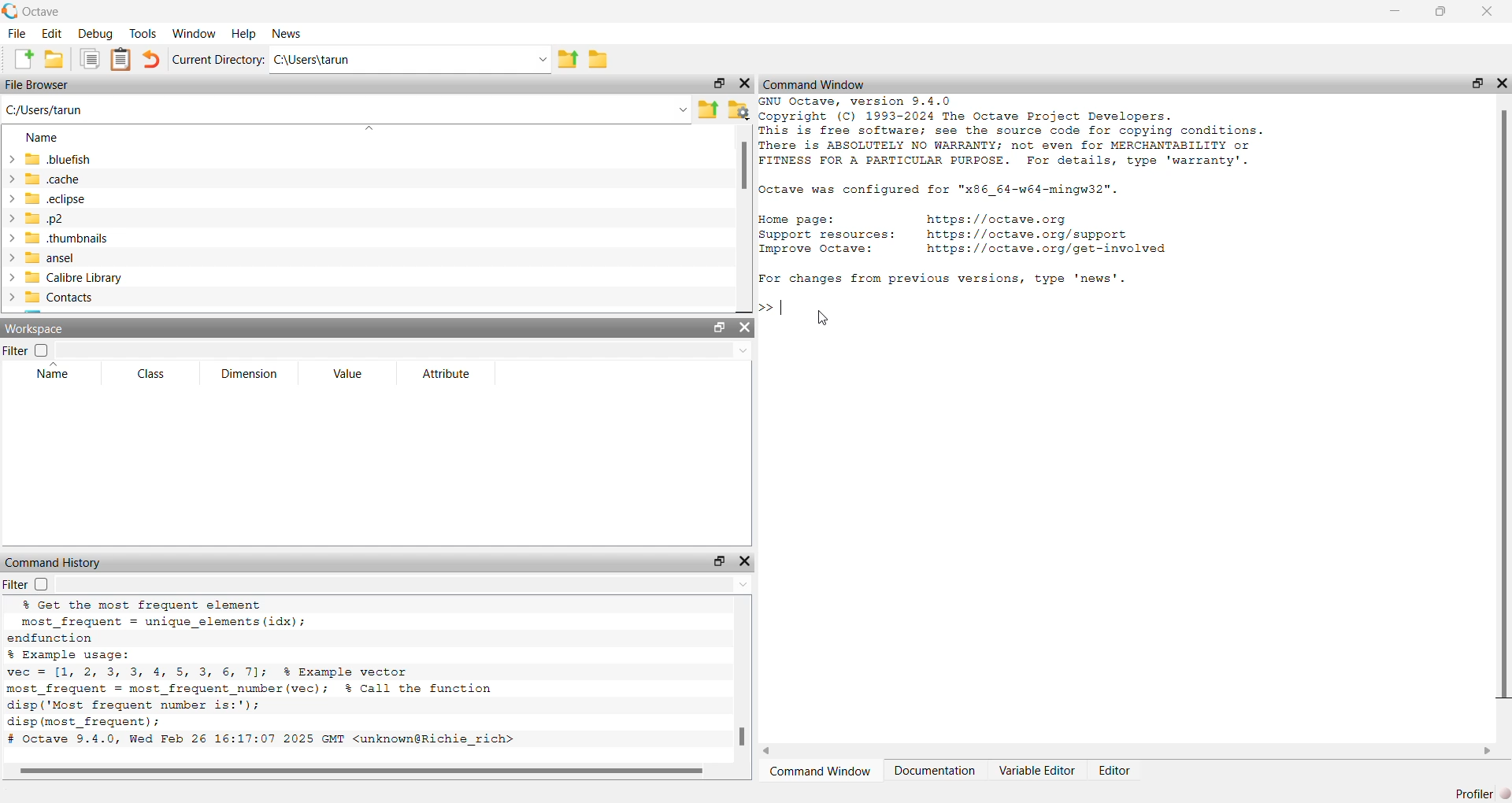  I want to click on Debug, so click(97, 32).